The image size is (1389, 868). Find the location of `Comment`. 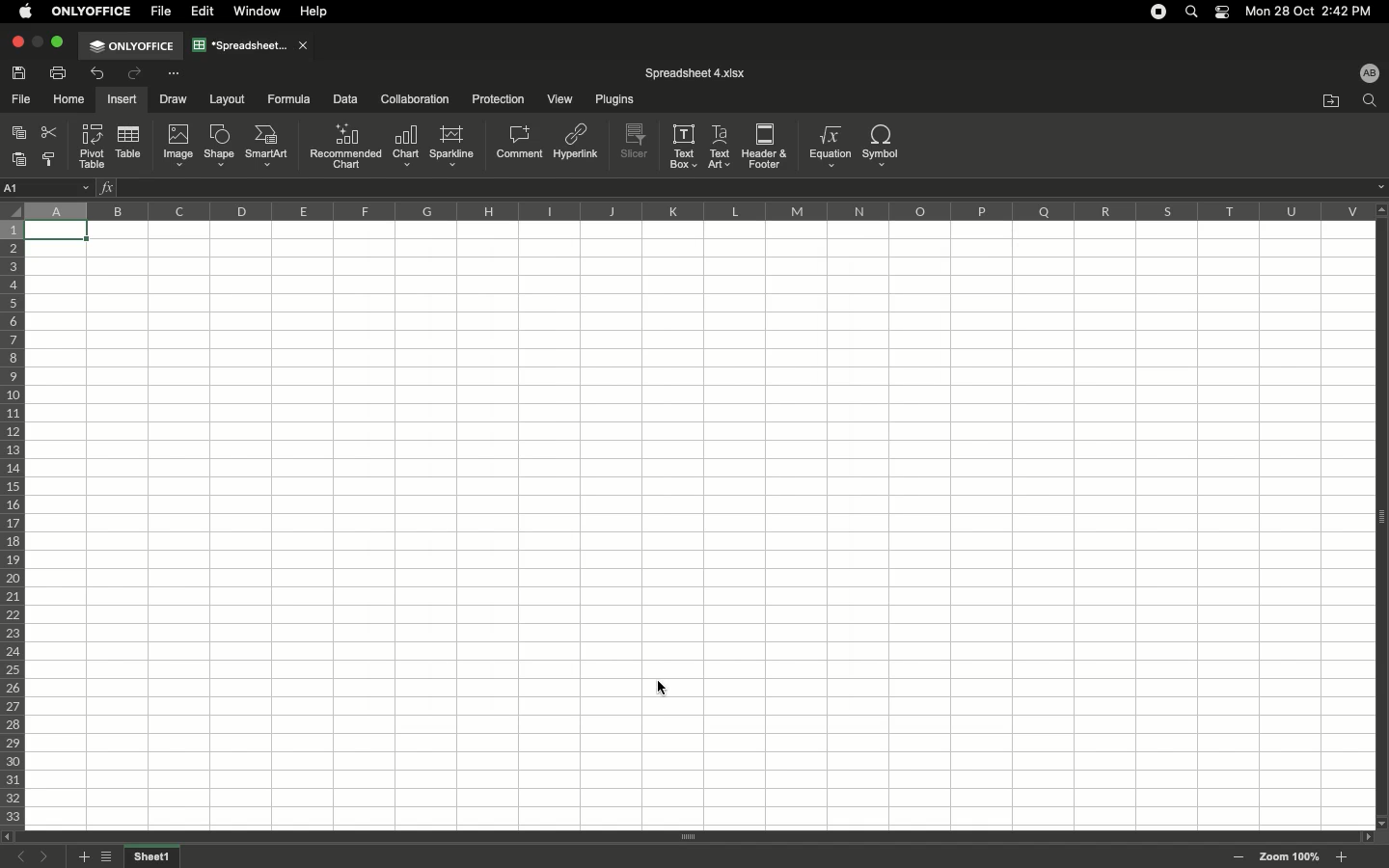

Comment is located at coordinates (521, 144).